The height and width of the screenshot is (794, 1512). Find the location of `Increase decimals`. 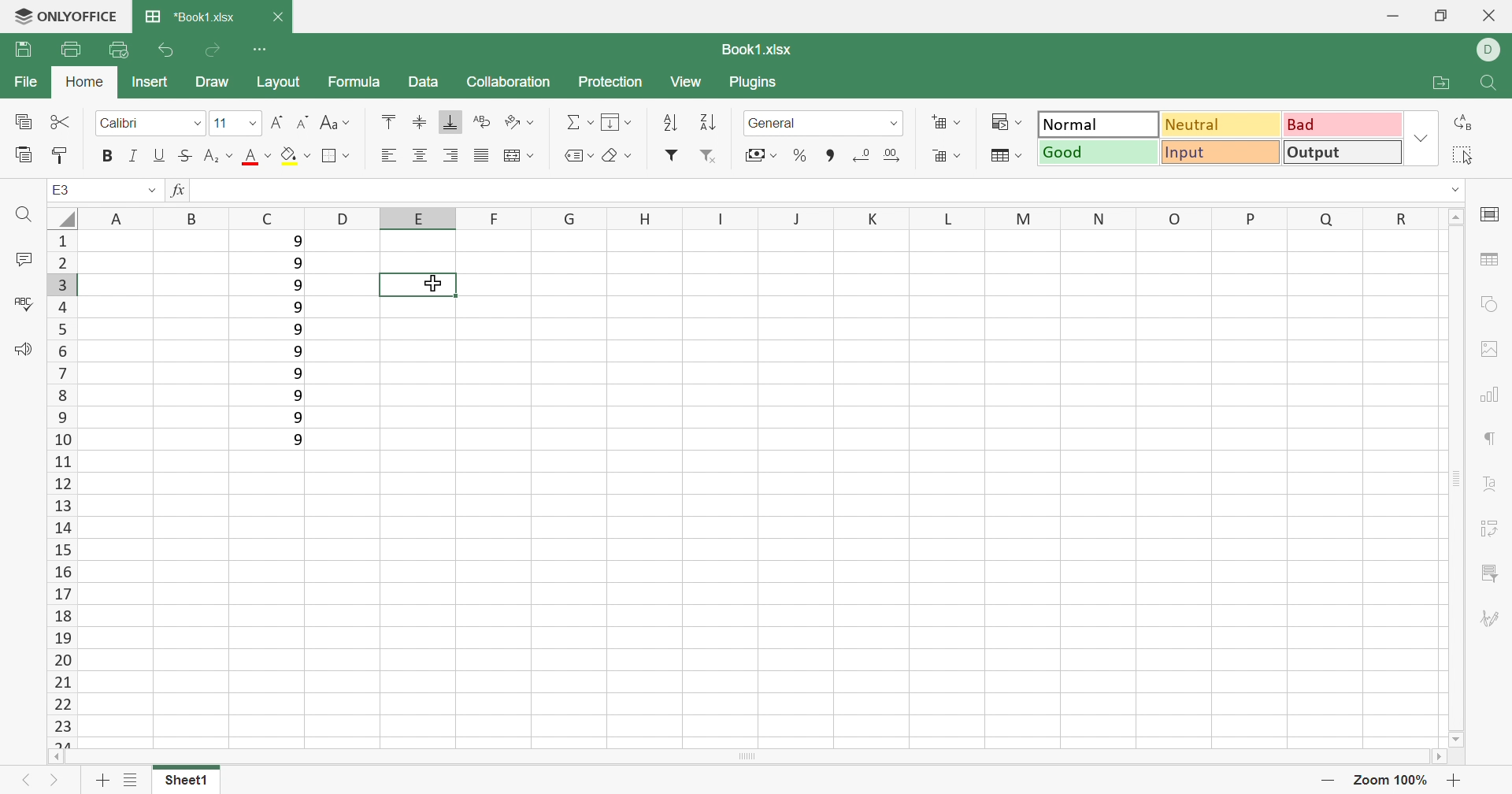

Increase decimals is located at coordinates (897, 155).